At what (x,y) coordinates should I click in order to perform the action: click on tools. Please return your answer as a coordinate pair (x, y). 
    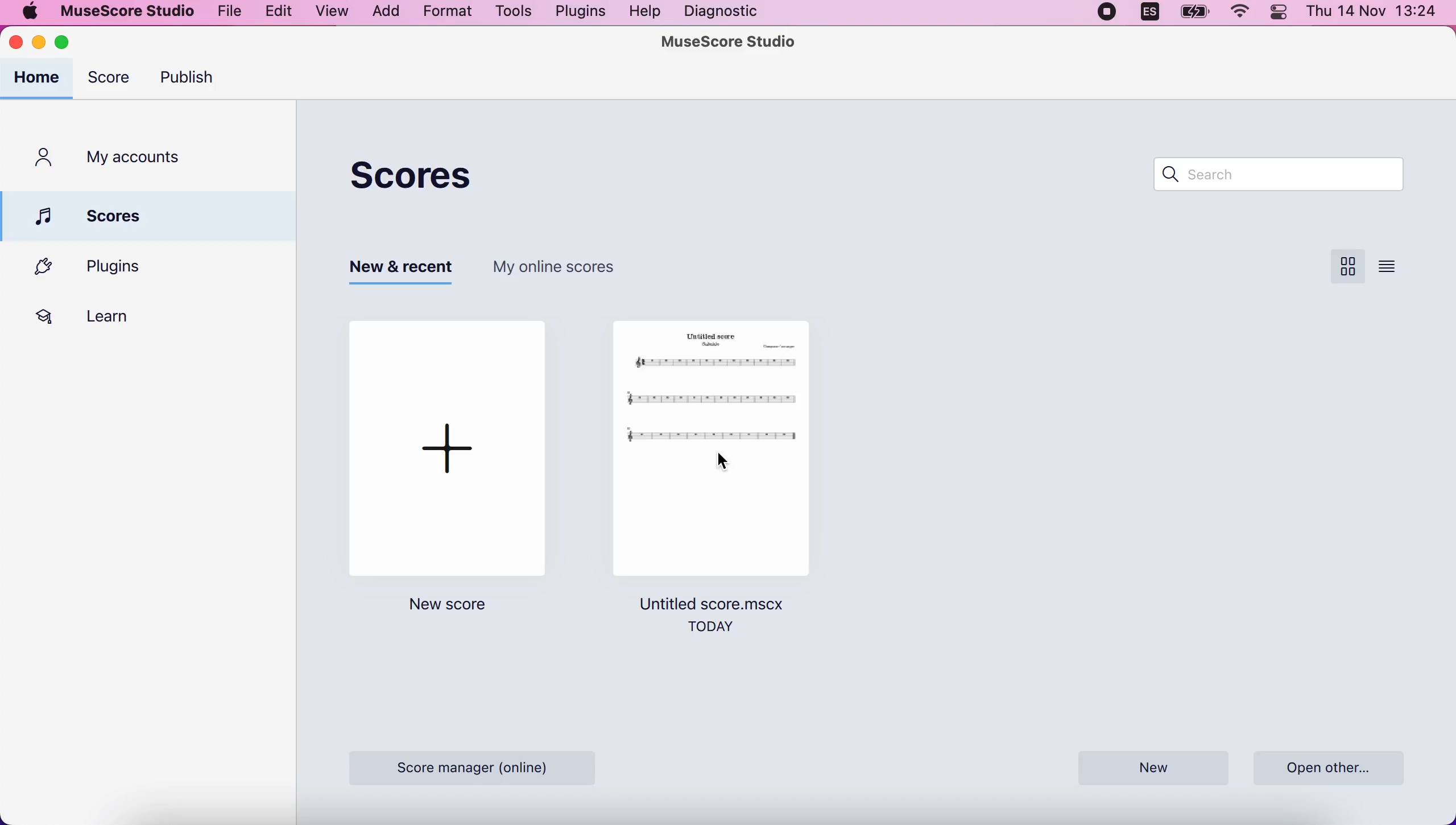
    Looking at the image, I should click on (510, 14).